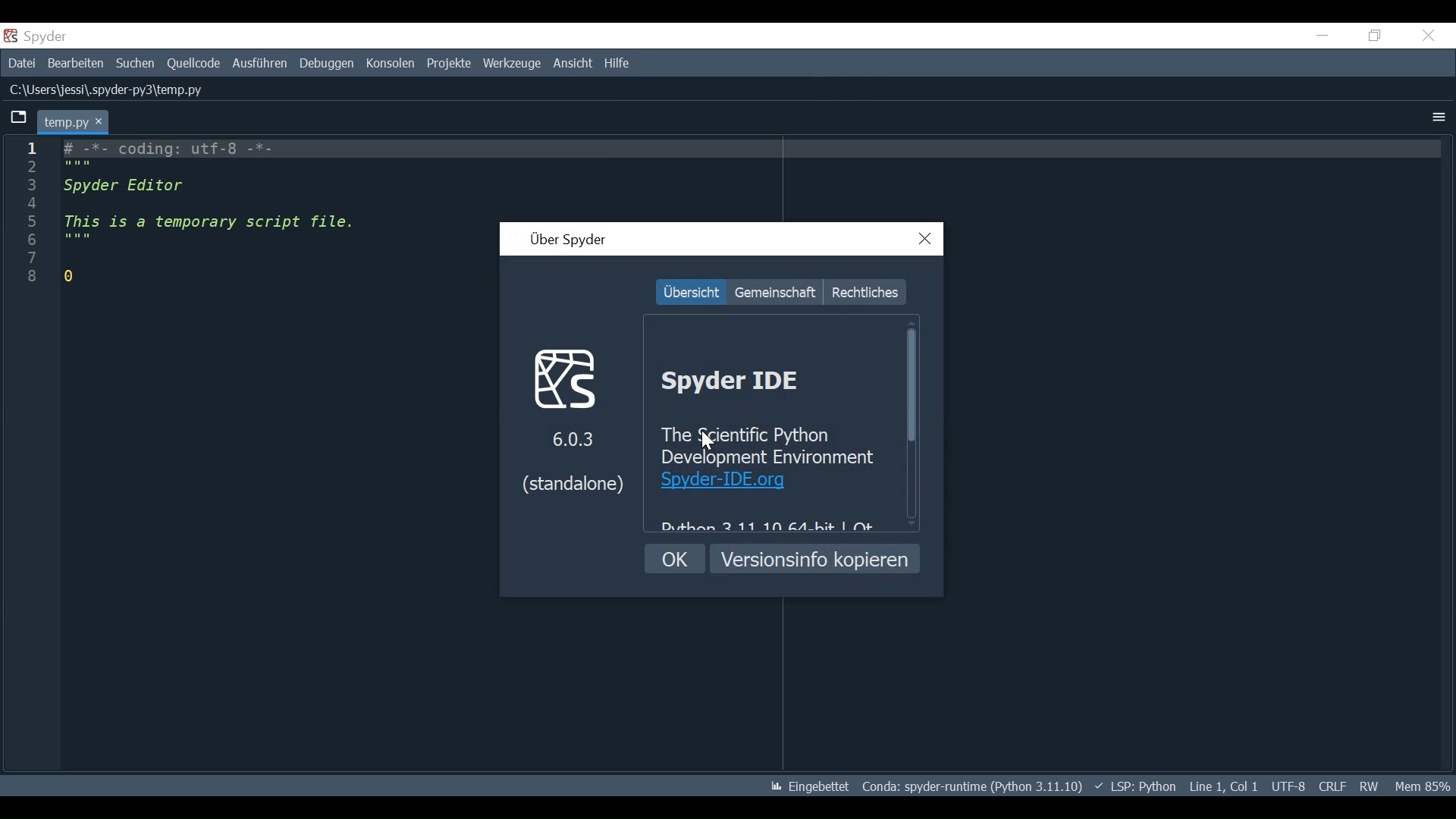  I want to click on 6.0.3(standalone), so click(580, 473).